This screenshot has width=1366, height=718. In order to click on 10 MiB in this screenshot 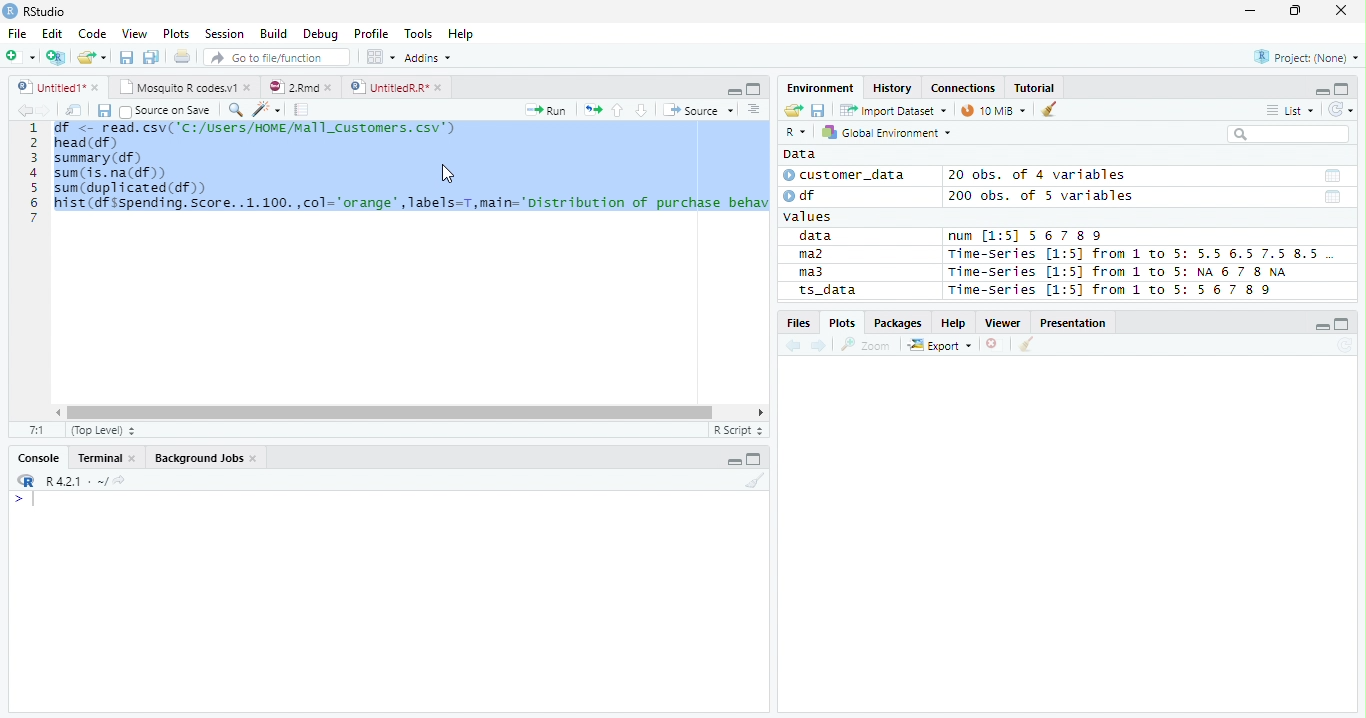, I will do `click(995, 110)`.